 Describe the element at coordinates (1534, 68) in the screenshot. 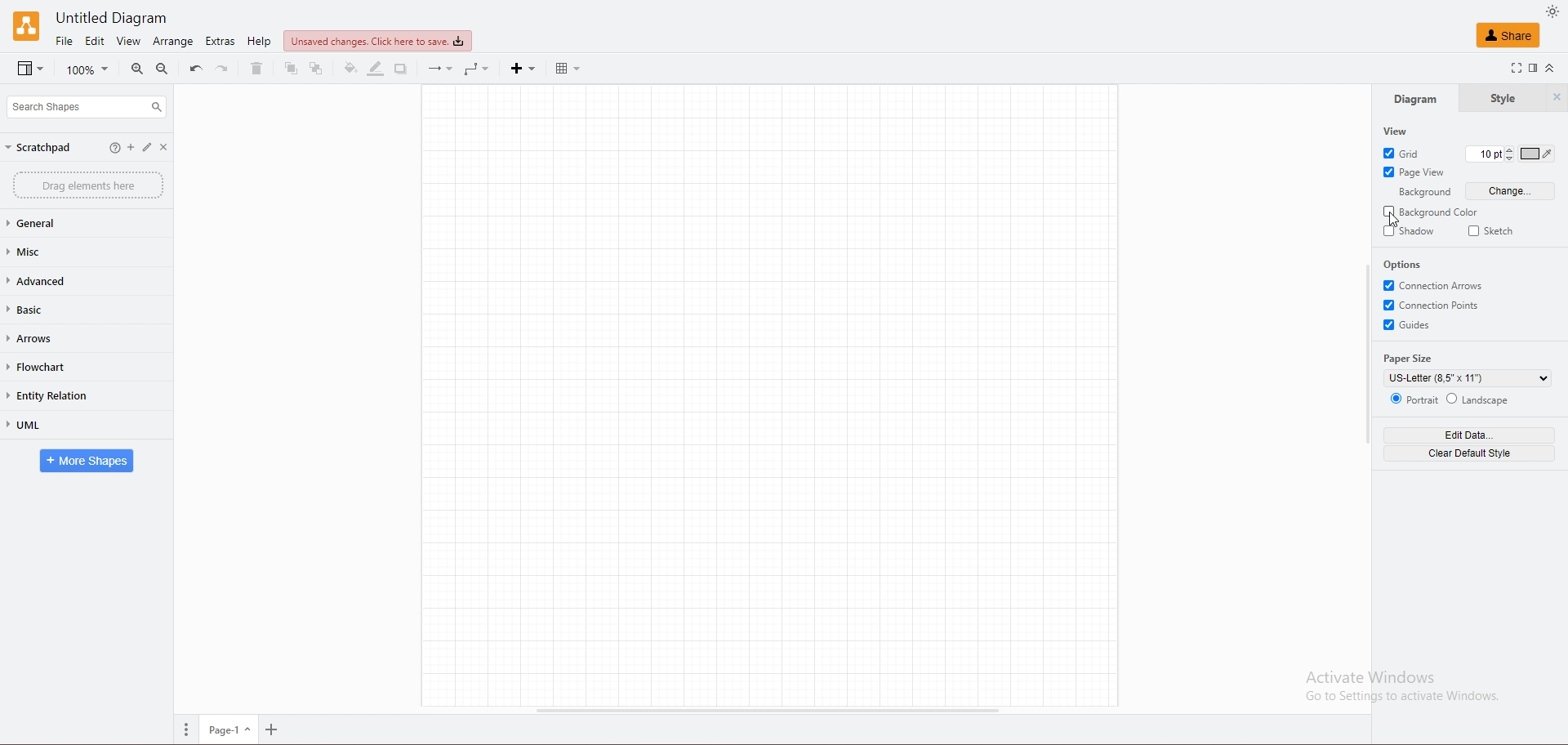

I see `format` at that location.